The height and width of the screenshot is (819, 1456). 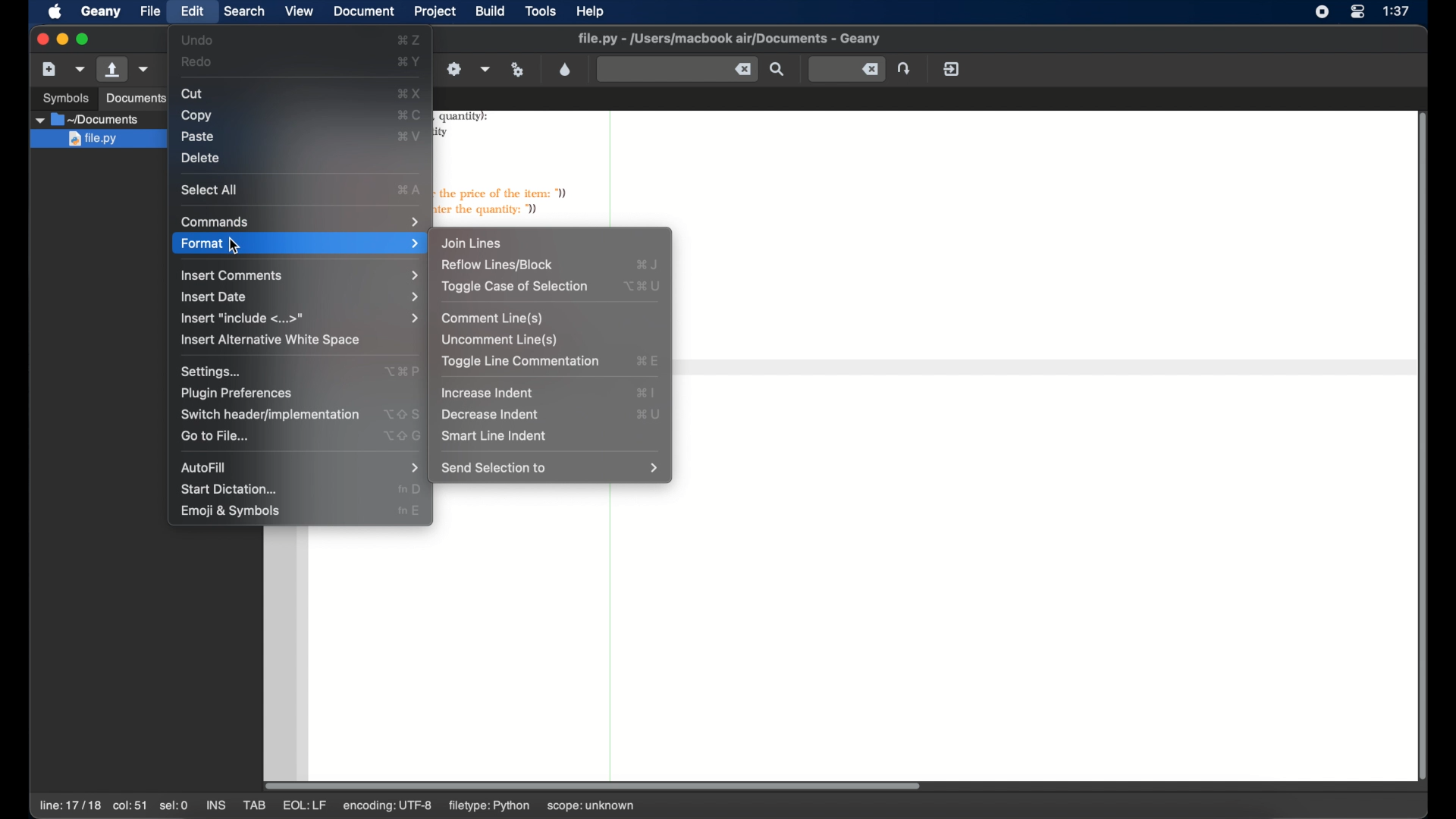 What do you see at coordinates (1321, 12) in the screenshot?
I see `screen recorder icons` at bounding box center [1321, 12].